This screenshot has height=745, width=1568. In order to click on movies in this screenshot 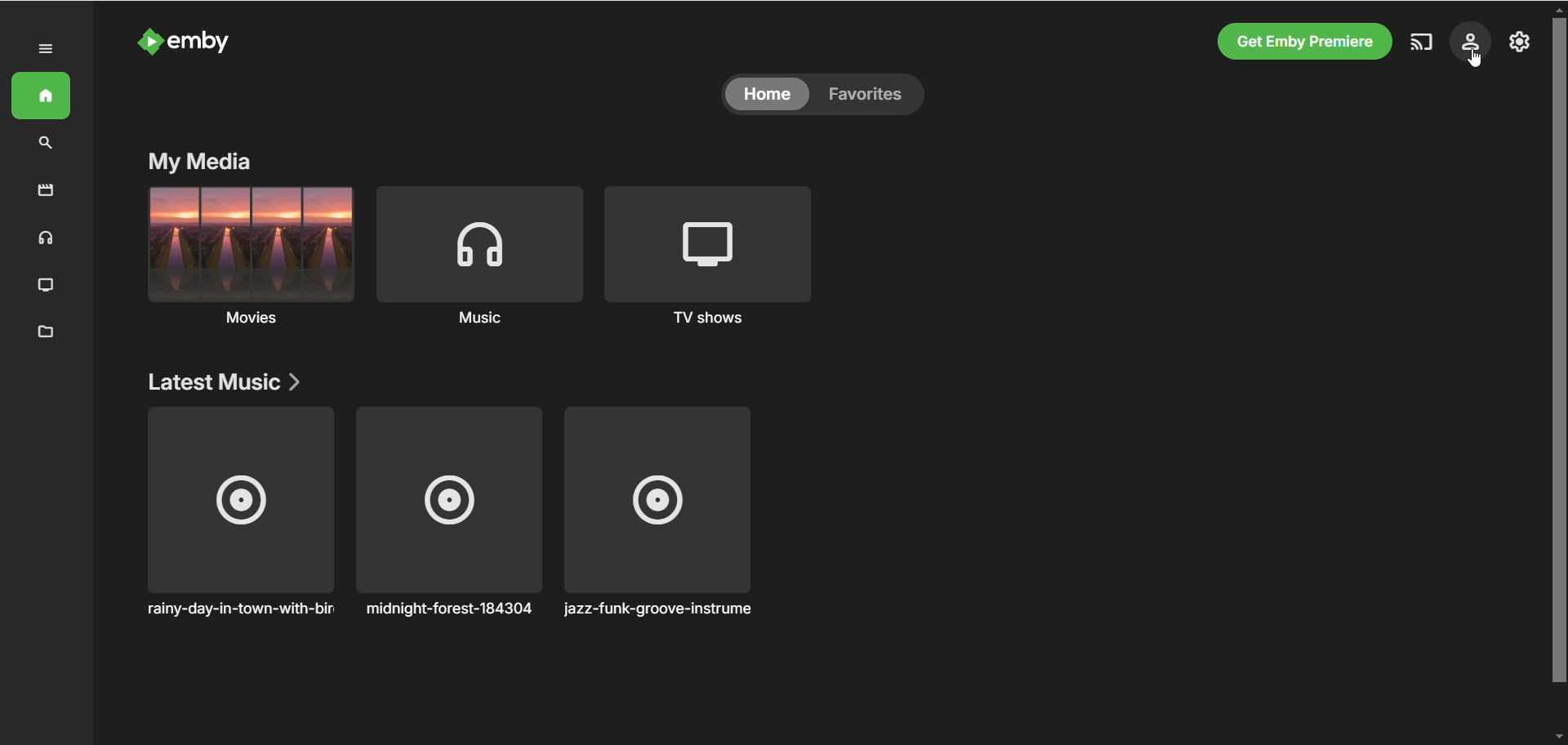, I will do `click(252, 243)`.